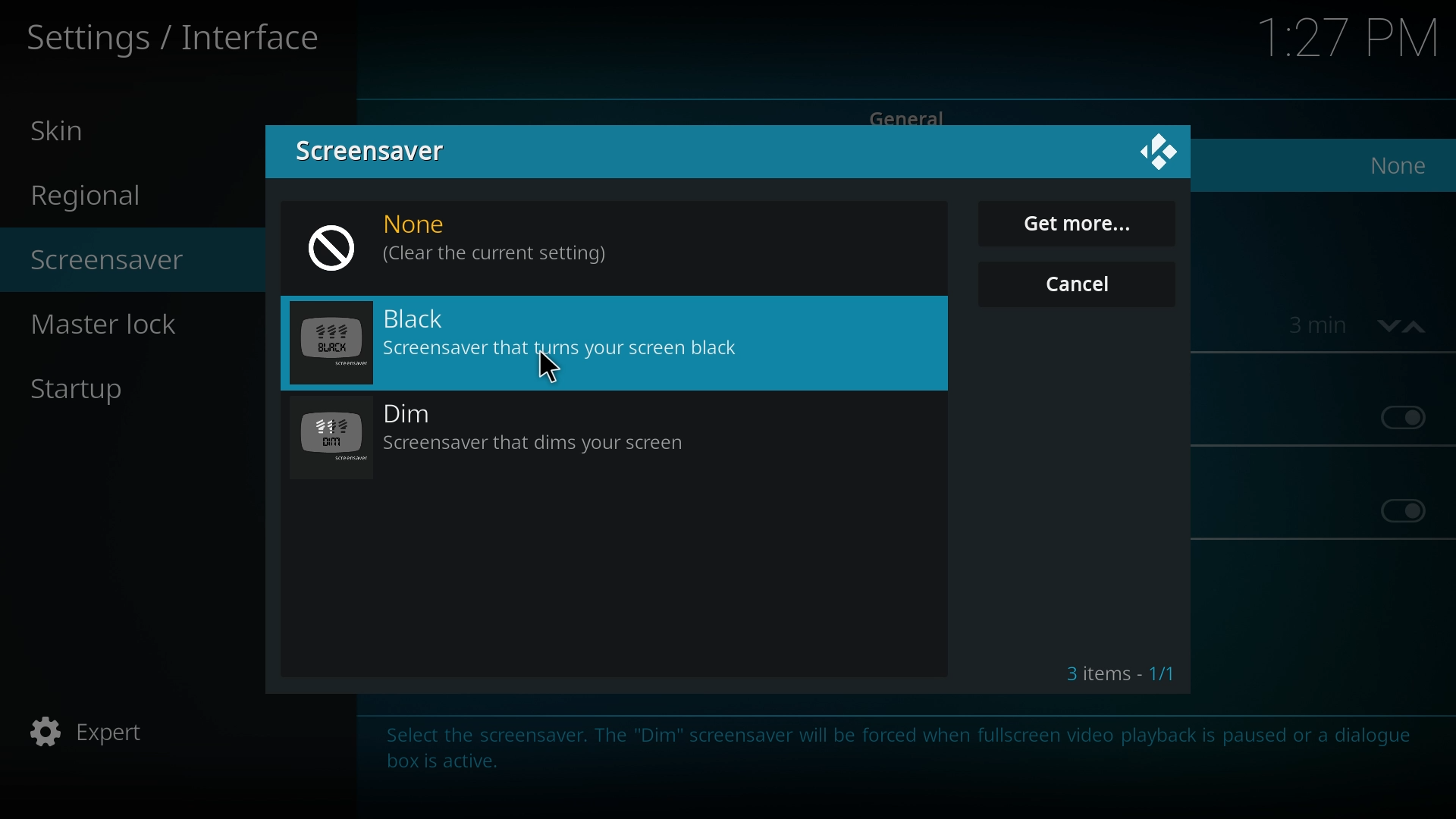  I want to click on master lock, so click(133, 324).